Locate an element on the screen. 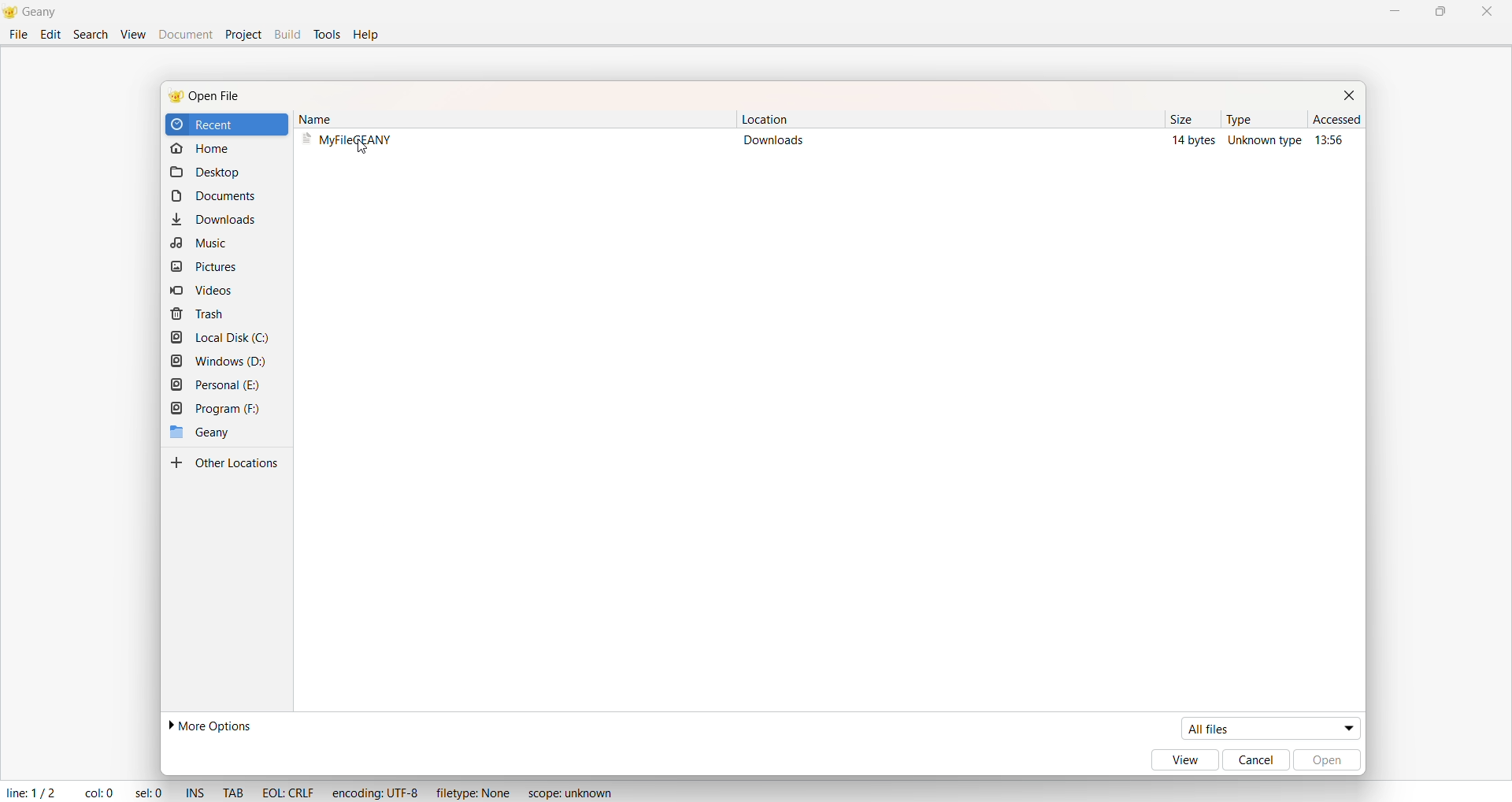  View is located at coordinates (132, 34).